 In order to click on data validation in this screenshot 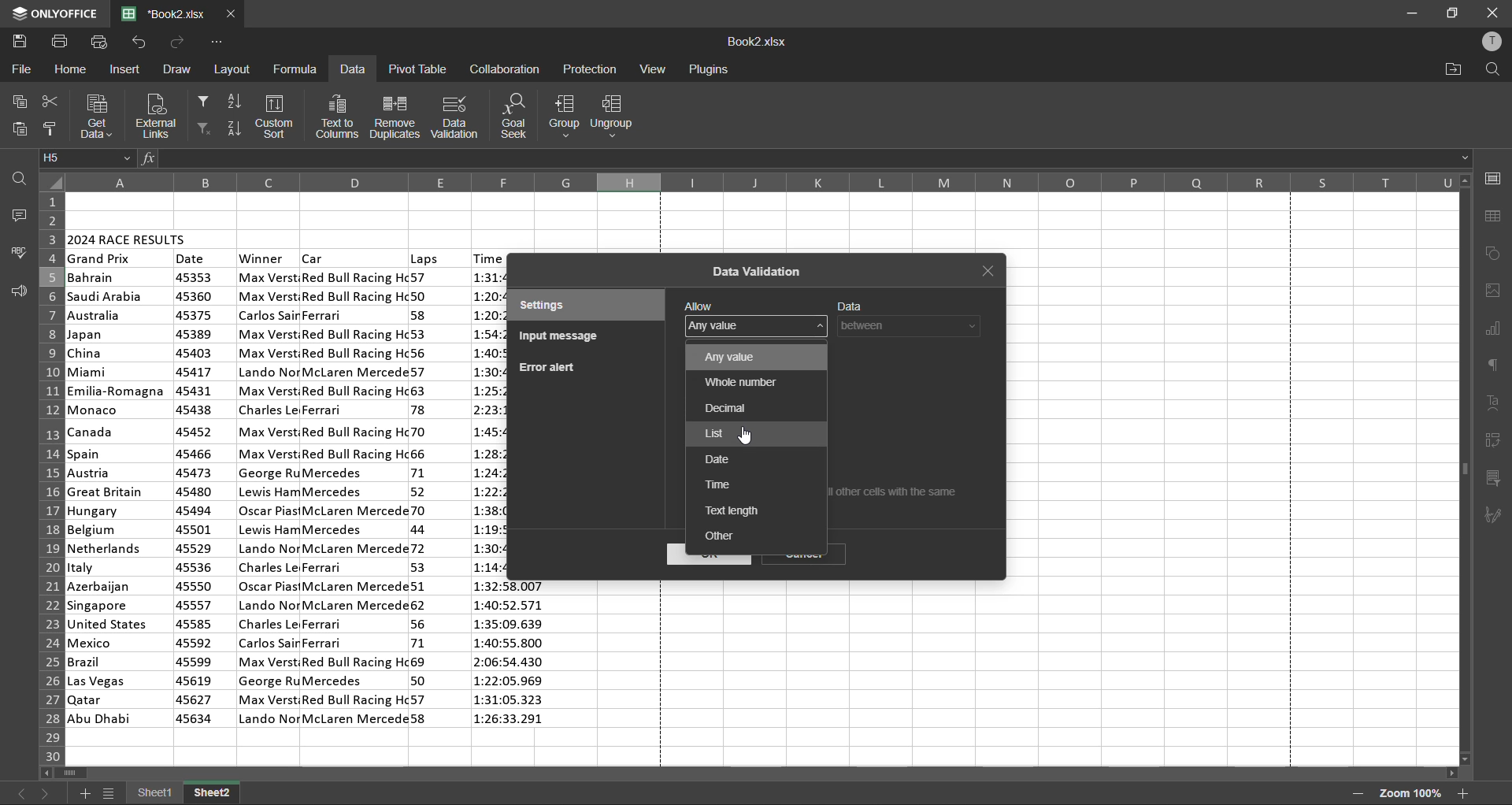, I will do `click(458, 116)`.